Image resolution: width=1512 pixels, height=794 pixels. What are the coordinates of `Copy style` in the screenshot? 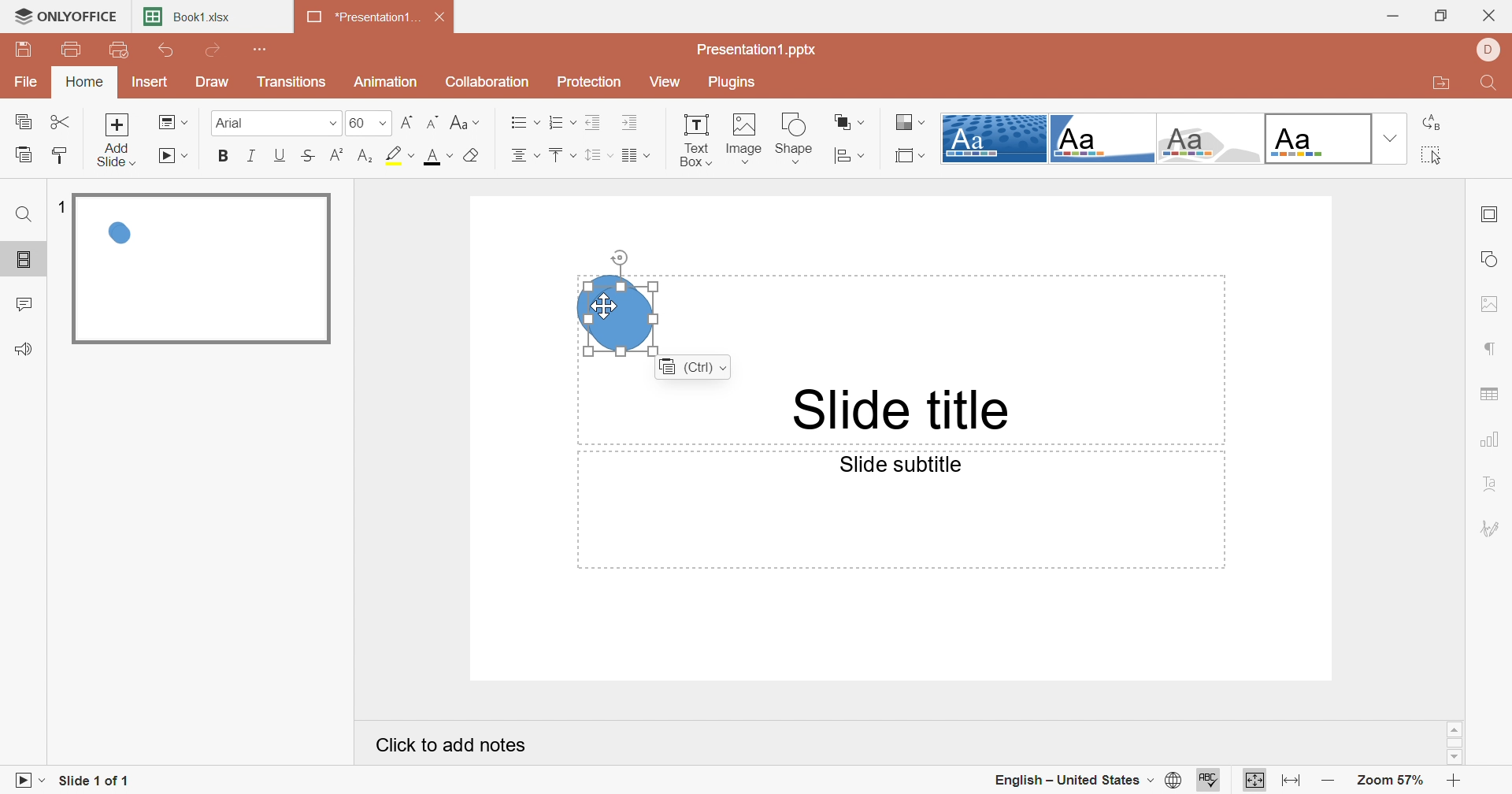 It's located at (60, 154).